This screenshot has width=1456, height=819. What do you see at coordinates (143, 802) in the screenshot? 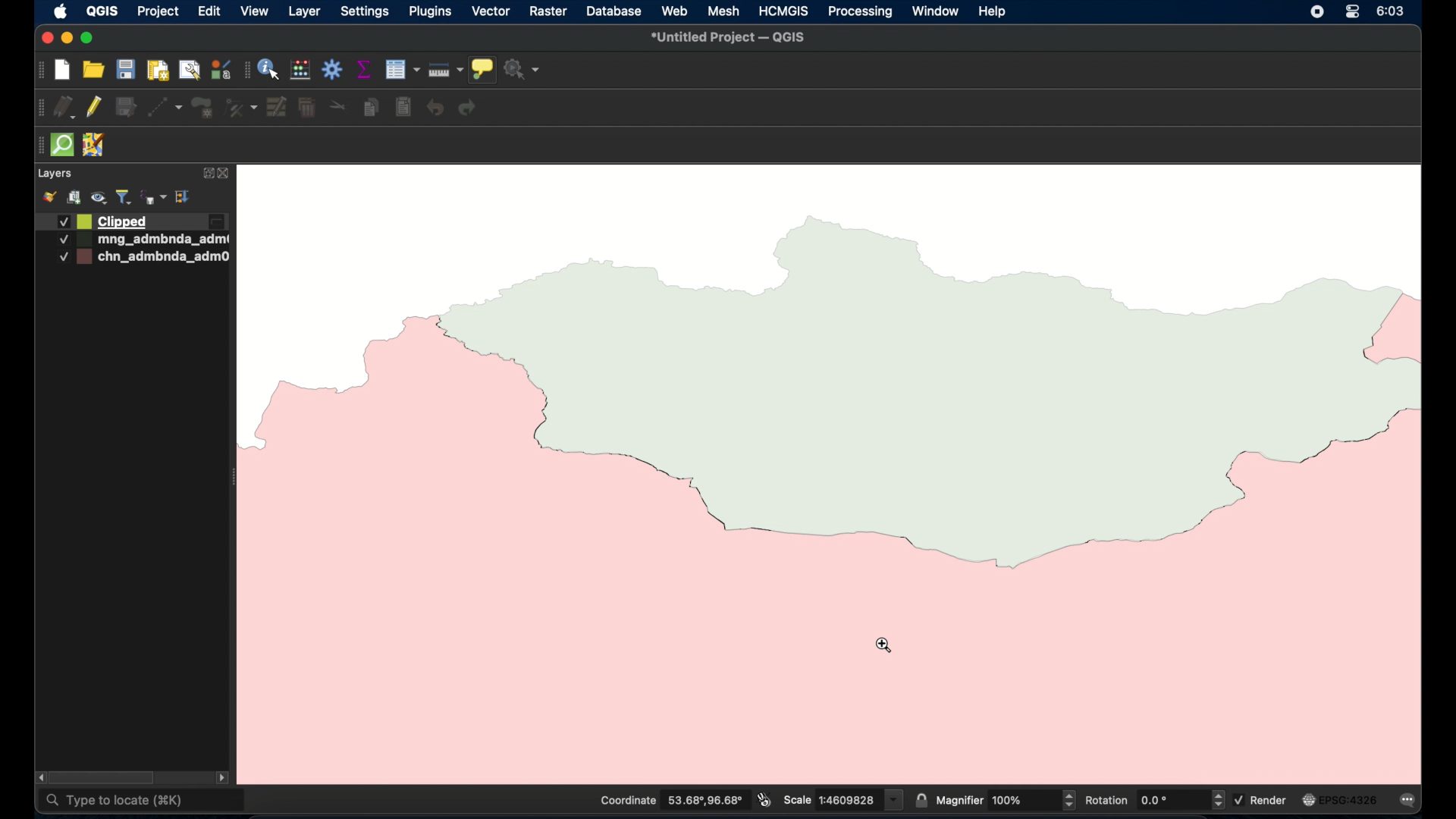
I see `type to locate` at bounding box center [143, 802].